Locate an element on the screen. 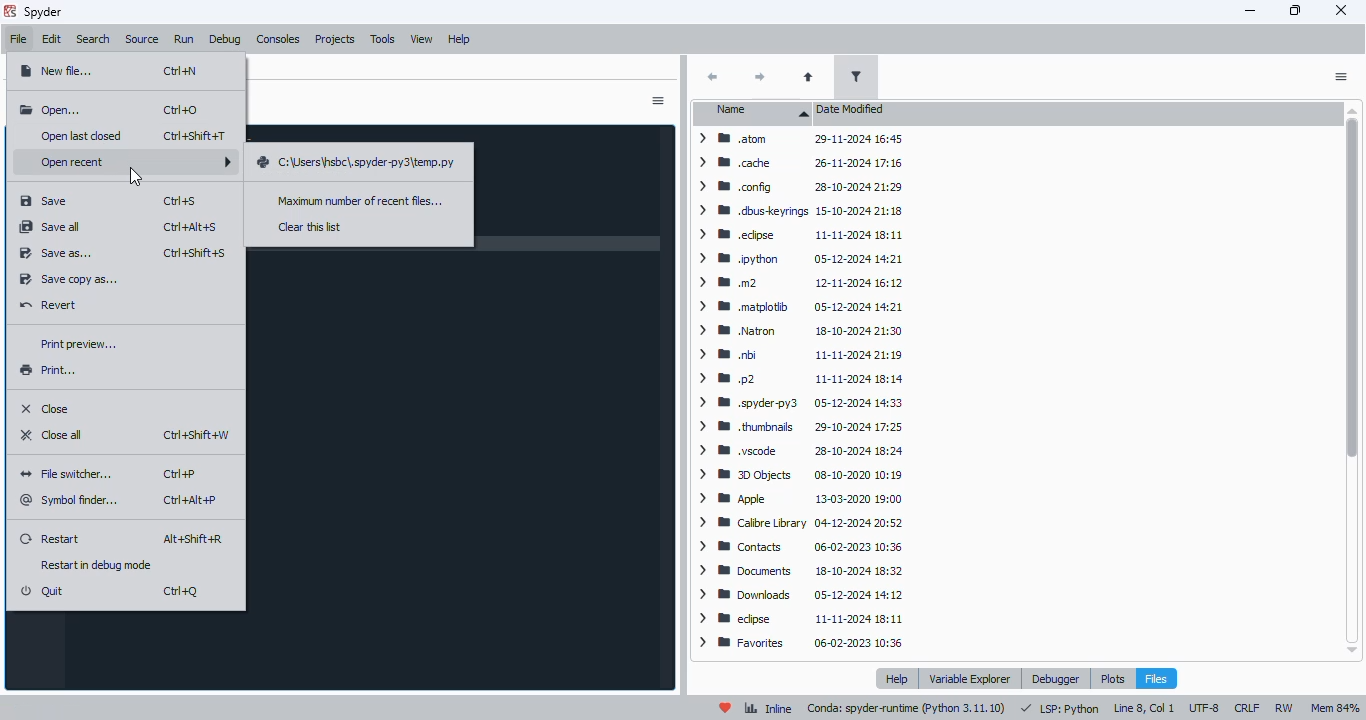  revert is located at coordinates (49, 304).